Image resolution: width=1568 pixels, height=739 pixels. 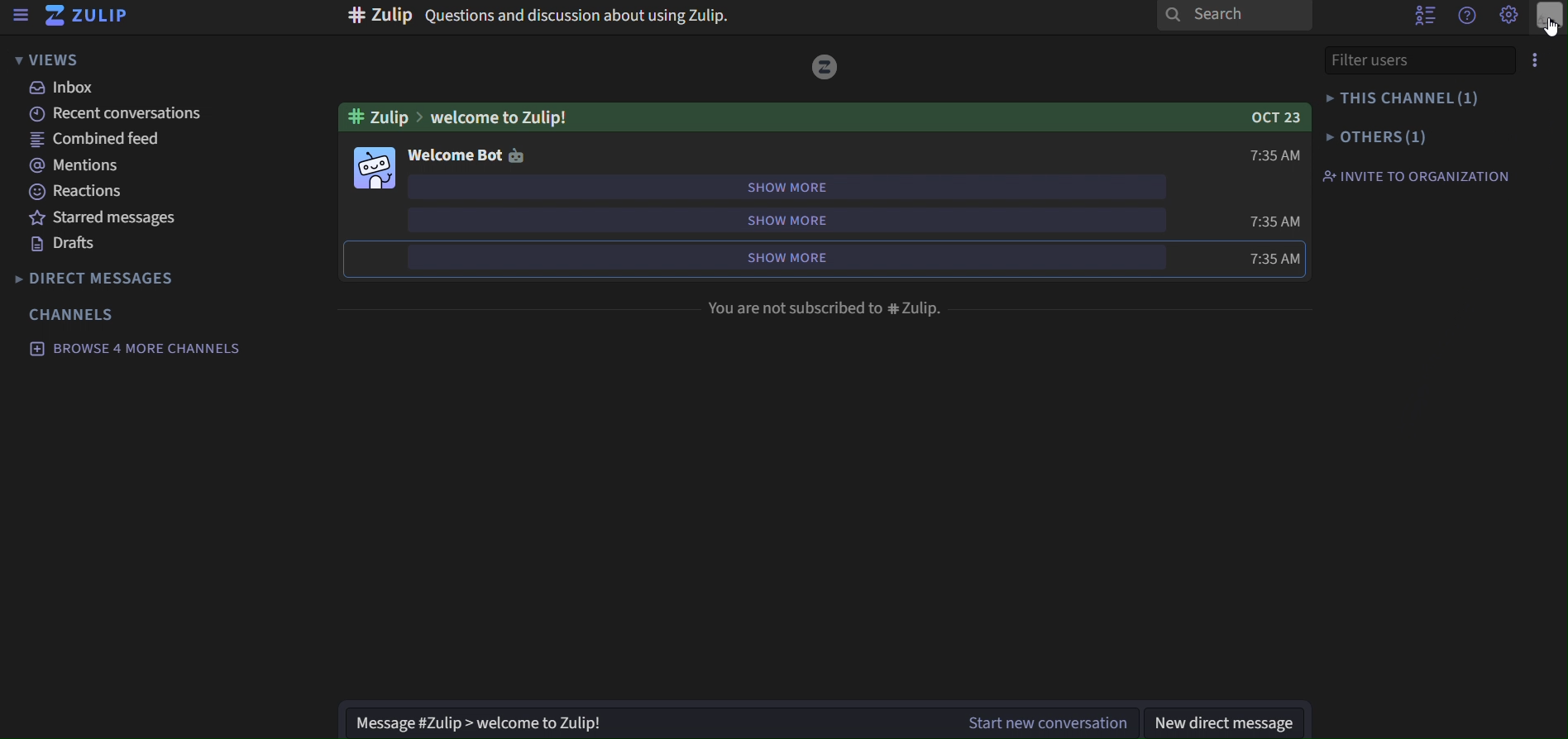 What do you see at coordinates (1279, 118) in the screenshot?
I see `OCT 23` at bounding box center [1279, 118].